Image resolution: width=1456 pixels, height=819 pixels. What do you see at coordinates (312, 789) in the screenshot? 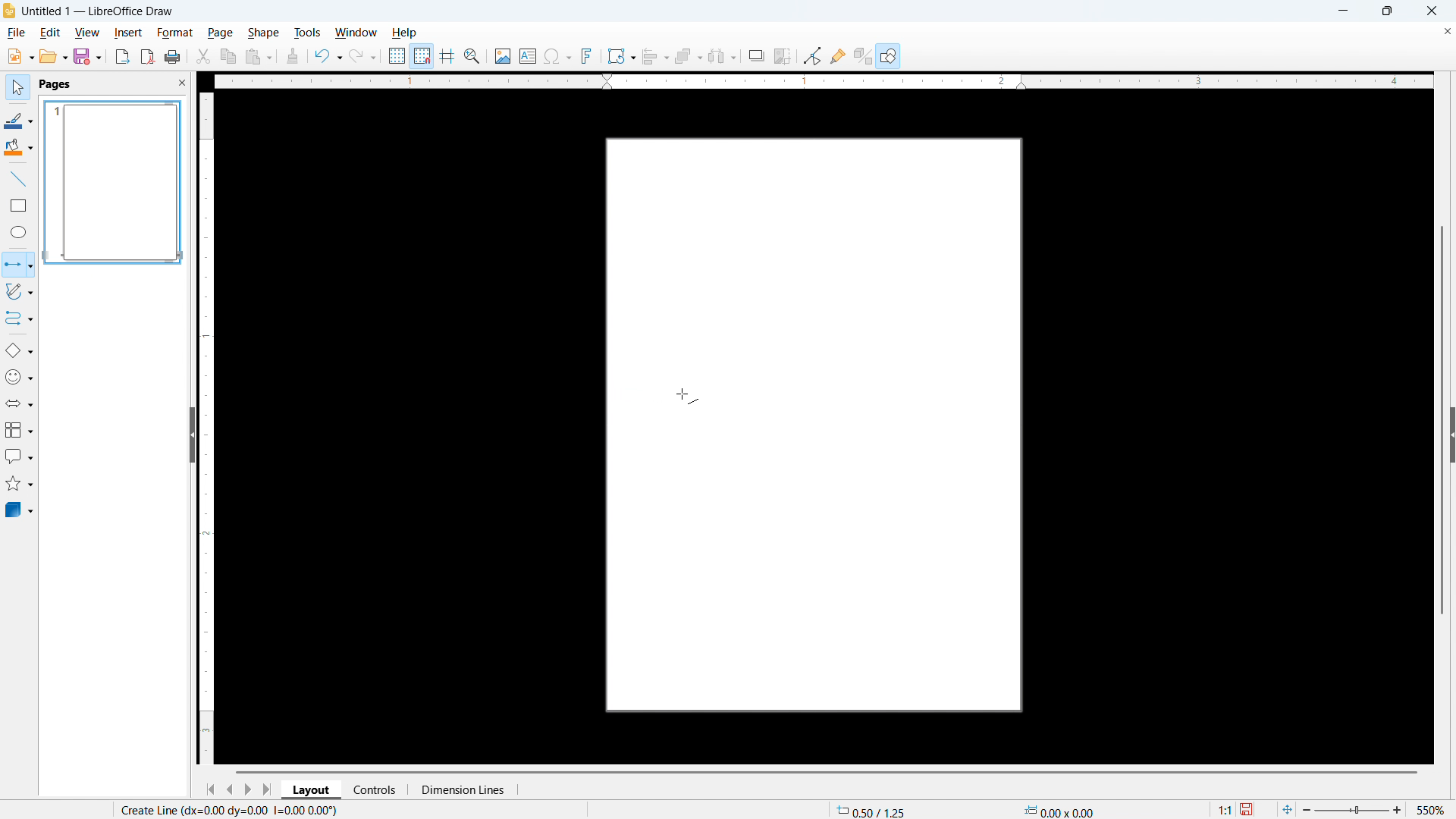
I see `Layout ` at bounding box center [312, 789].